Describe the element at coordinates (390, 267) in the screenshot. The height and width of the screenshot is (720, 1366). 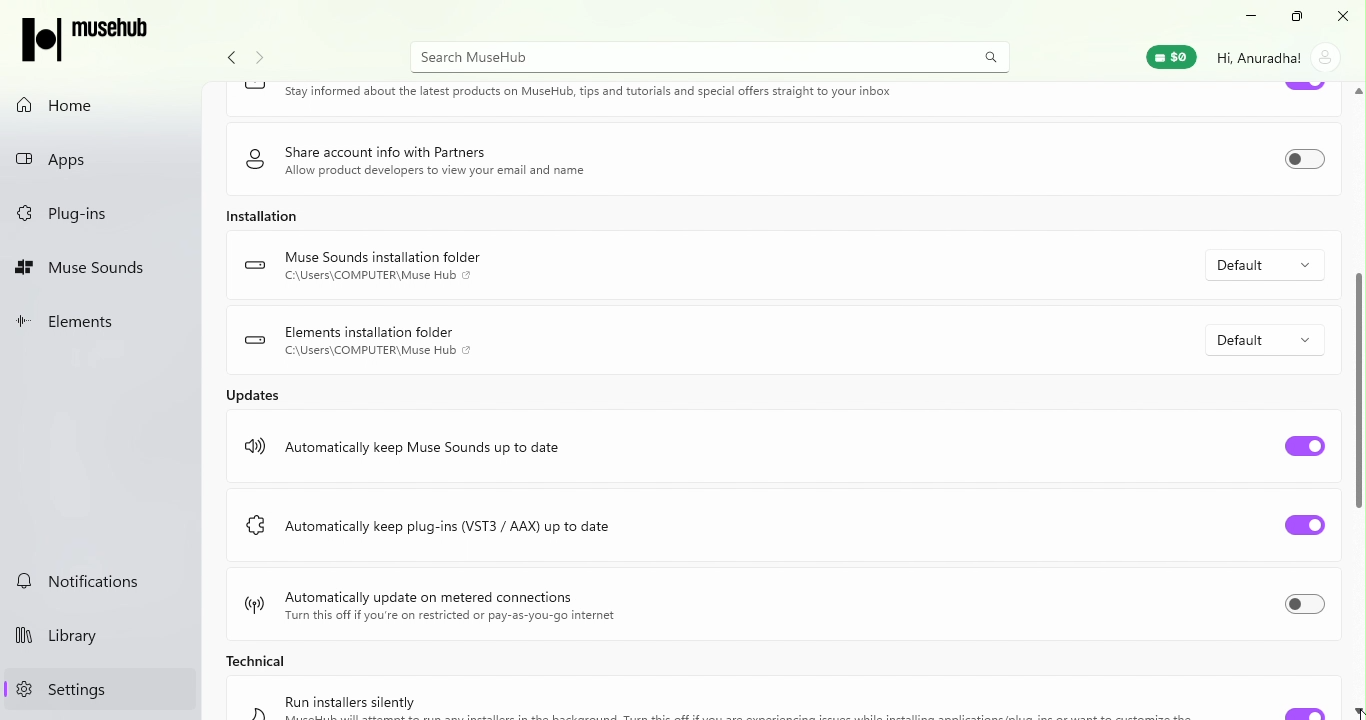
I see `Muse Sounds installation folder C:\Users\COMPUTER\Muse Hub` at that location.